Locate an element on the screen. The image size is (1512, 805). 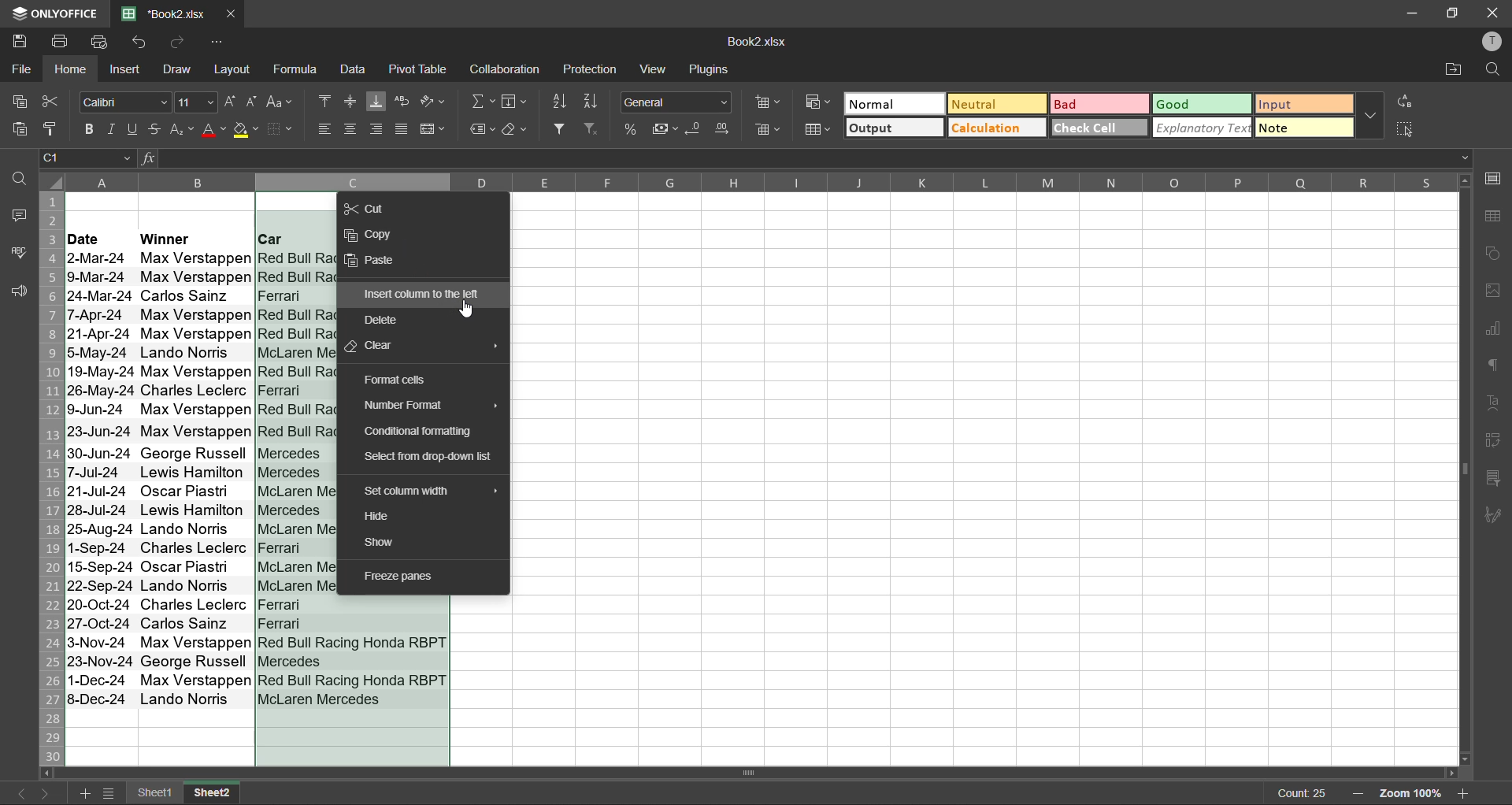
orientation is located at coordinates (433, 99).